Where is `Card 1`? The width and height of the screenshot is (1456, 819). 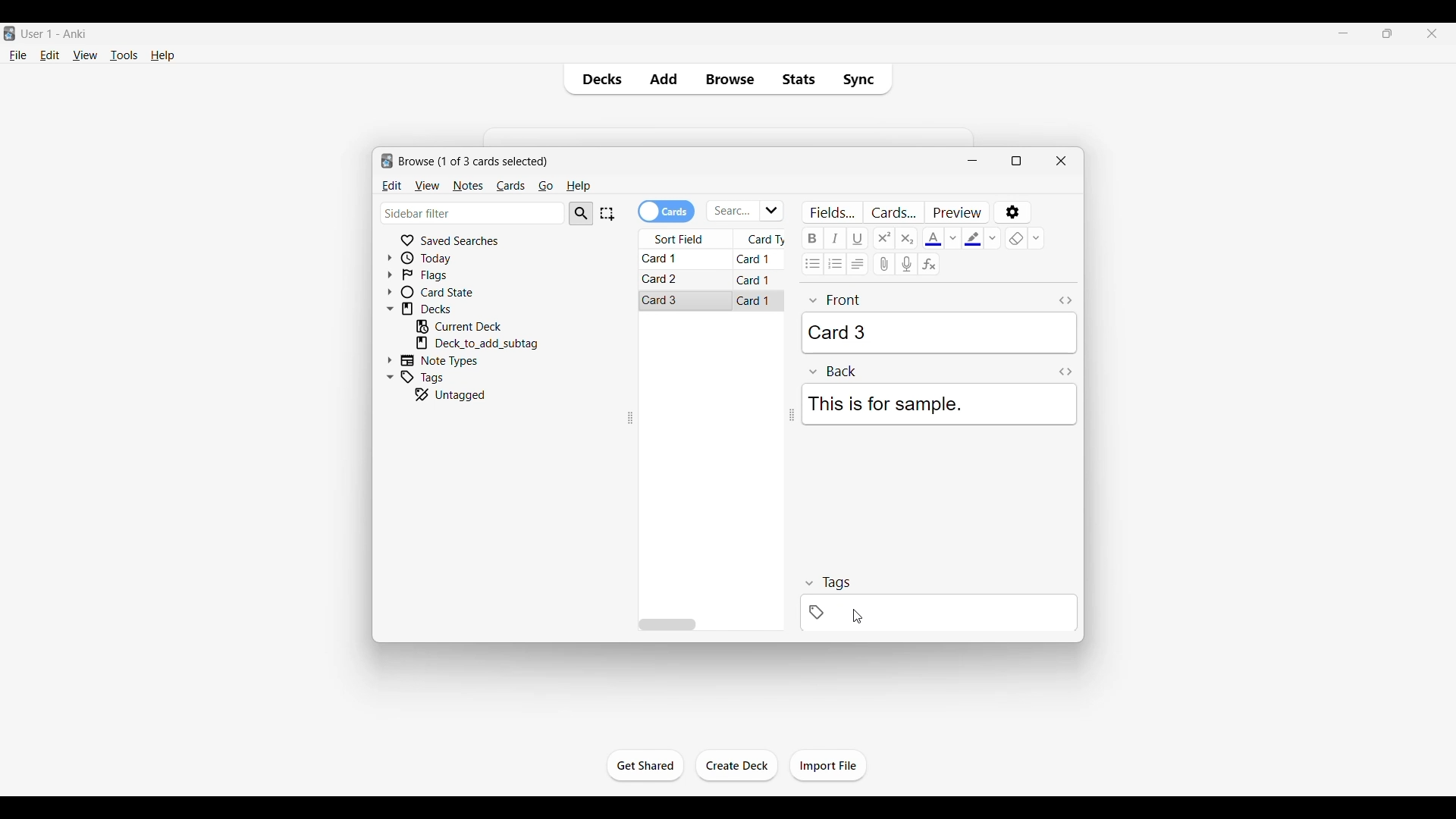
Card 1 is located at coordinates (666, 260).